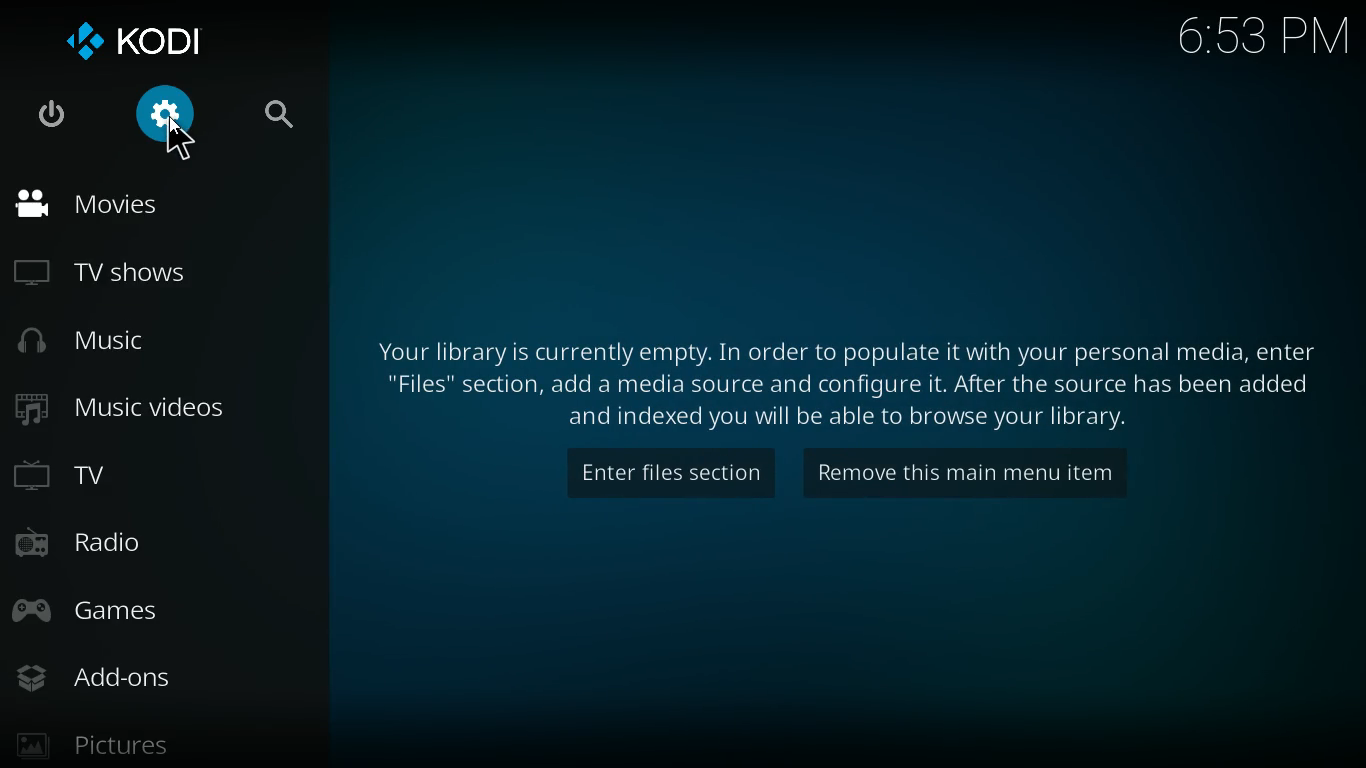  I want to click on settings, so click(170, 112).